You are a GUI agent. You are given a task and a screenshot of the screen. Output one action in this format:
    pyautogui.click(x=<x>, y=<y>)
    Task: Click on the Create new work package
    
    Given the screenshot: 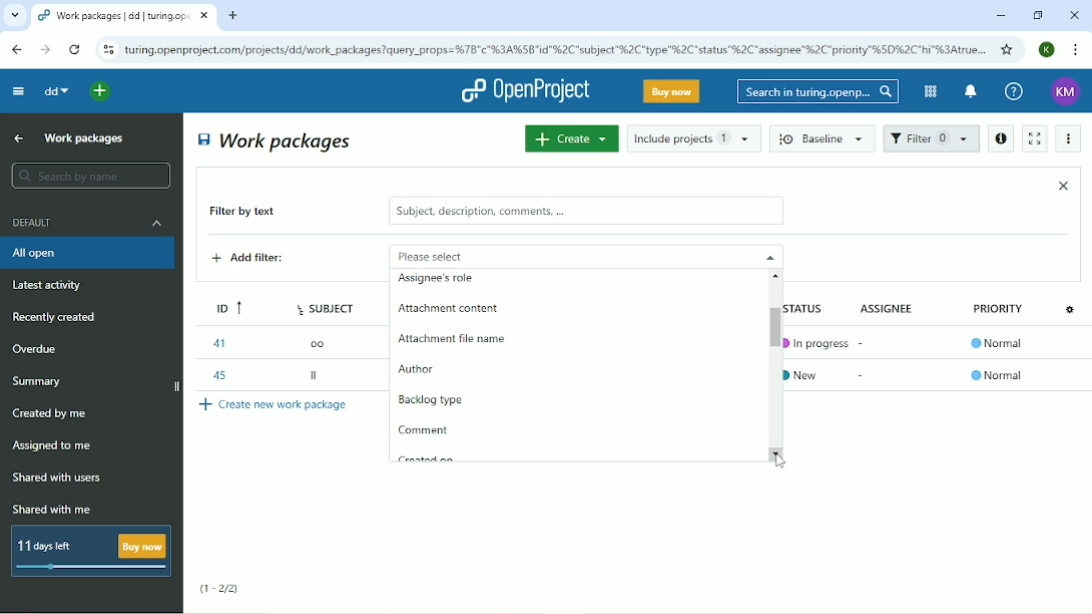 What is the action you would take?
    pyautogui.click(x=275, y=404)
    